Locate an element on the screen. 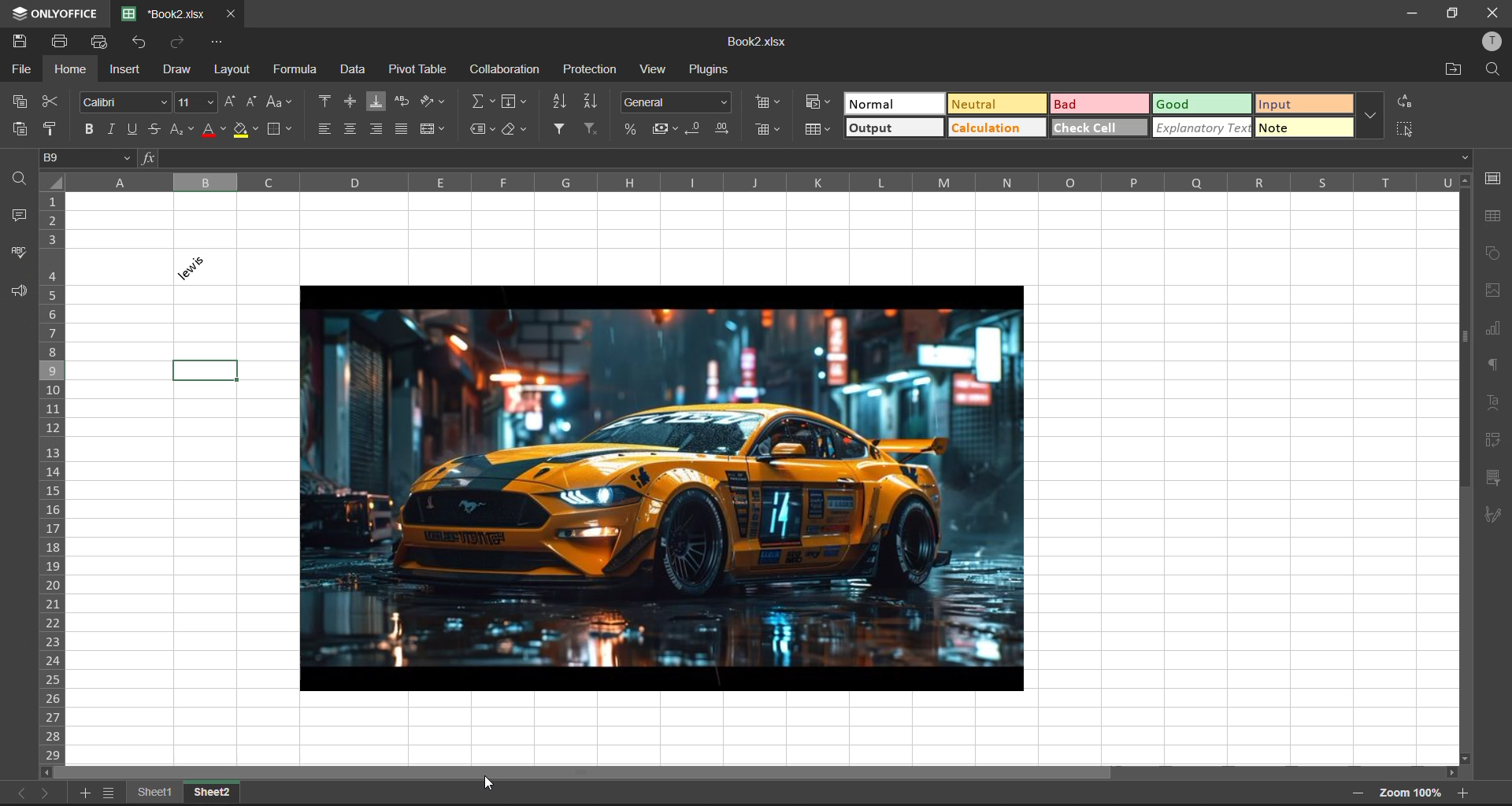  wrap text is located at coordinates (400, 103).